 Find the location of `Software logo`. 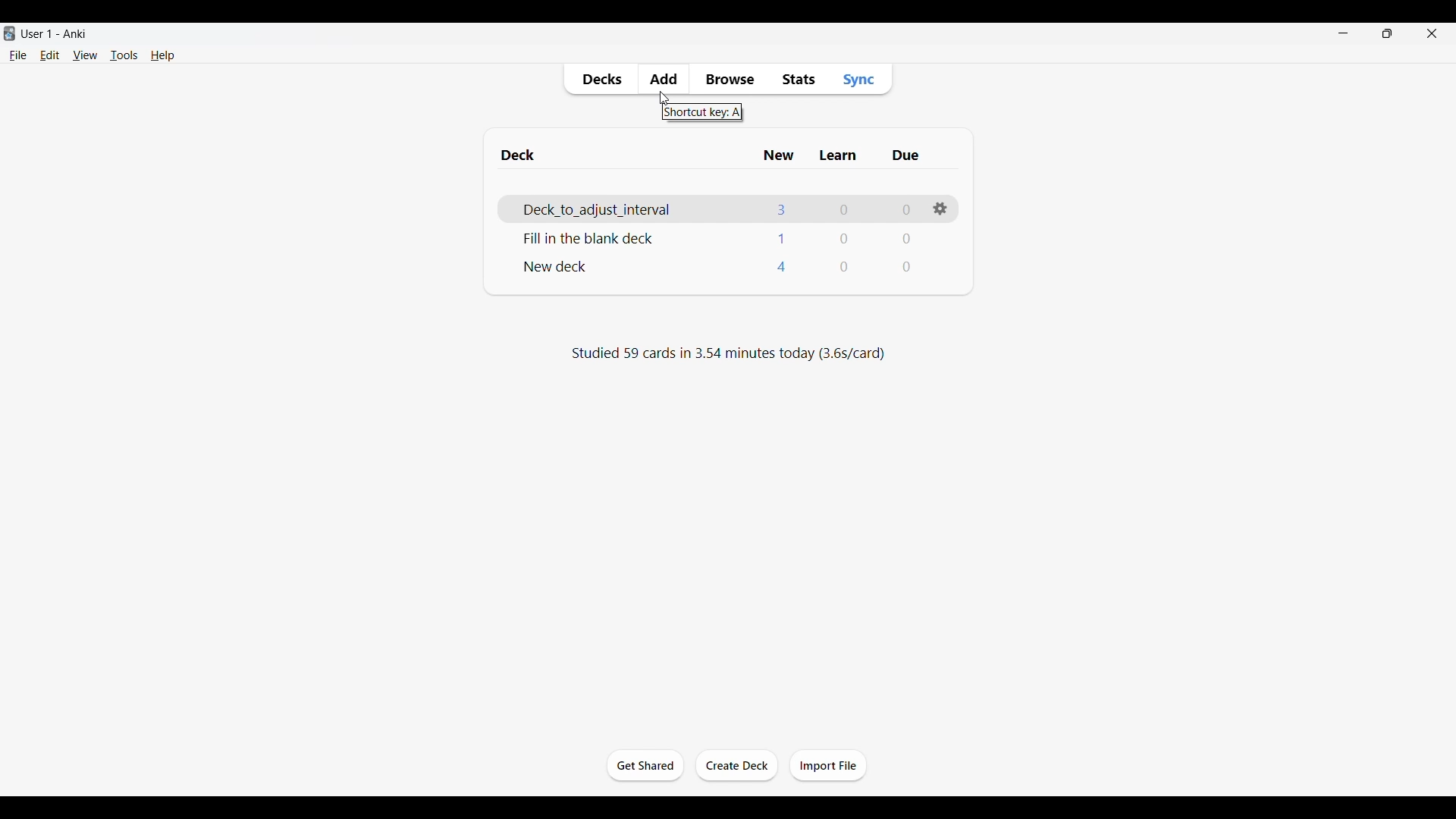

Software logo is located at coordinates (9, 33).